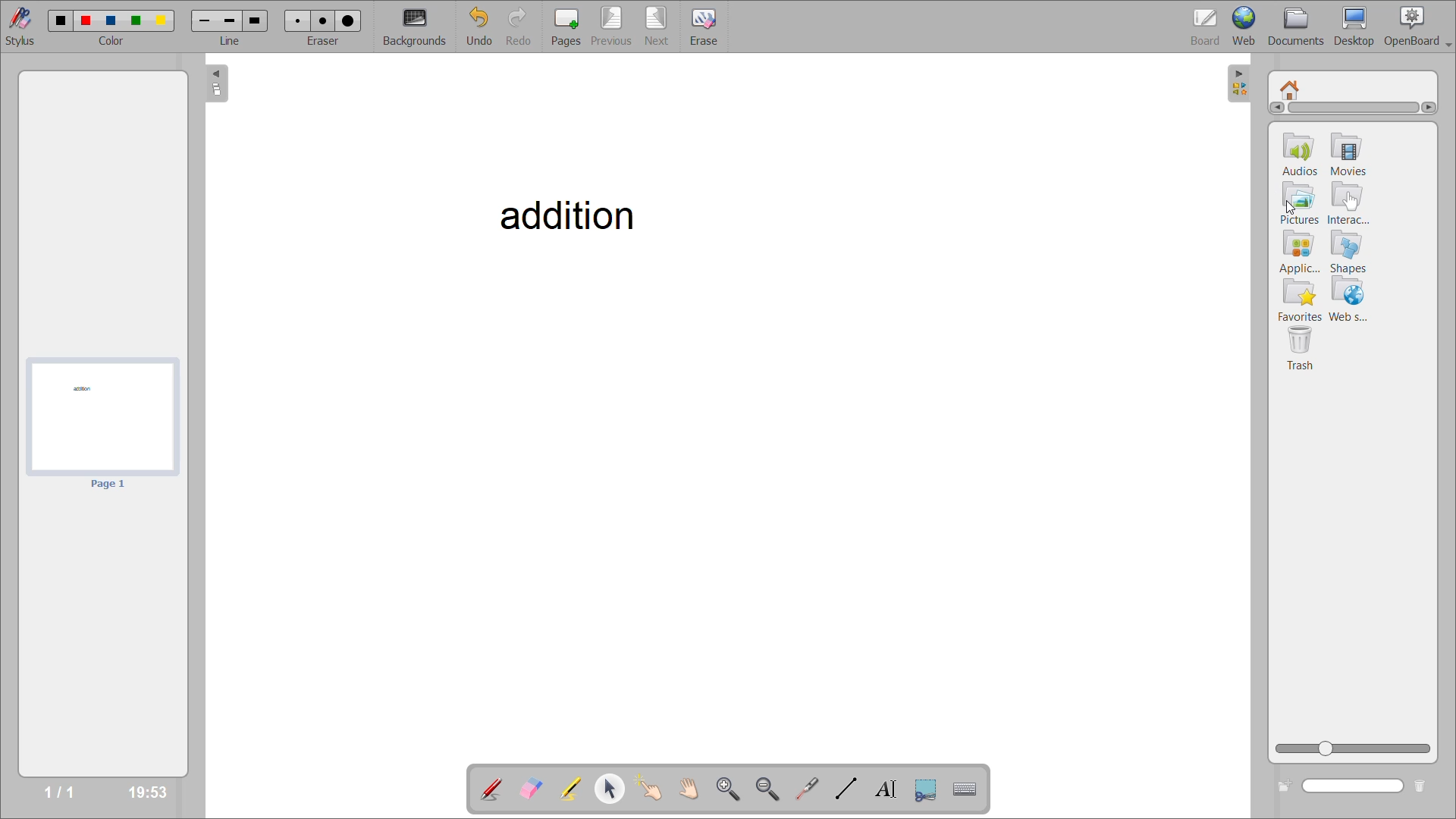  Describe the element at coordinates (849, 790) in the screenshot. I see `draw lines` at that location.